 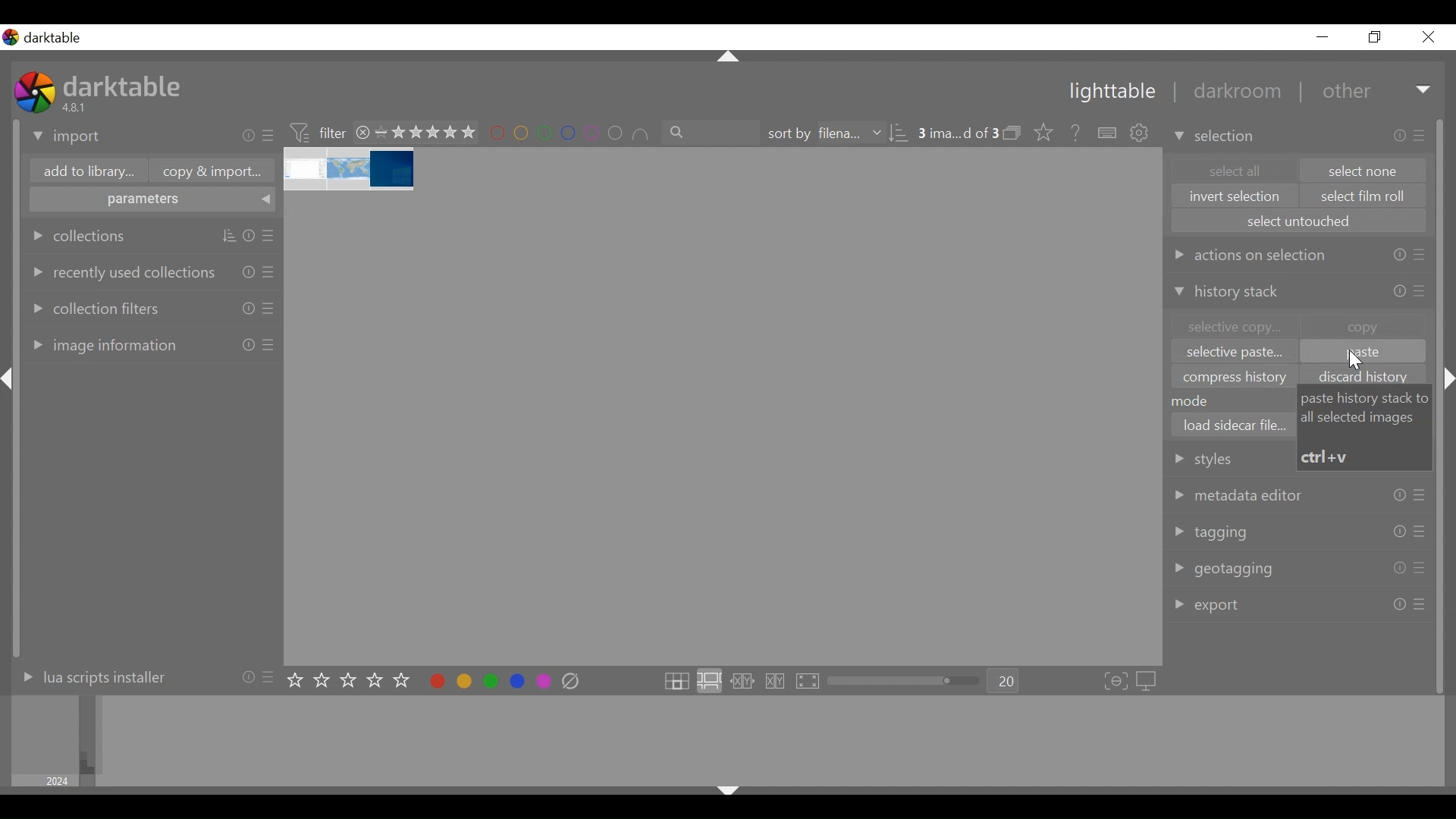 What do you see at coordinates (102, 344) in the screenshot?
I see `image information` at bounding box center [102, 344].